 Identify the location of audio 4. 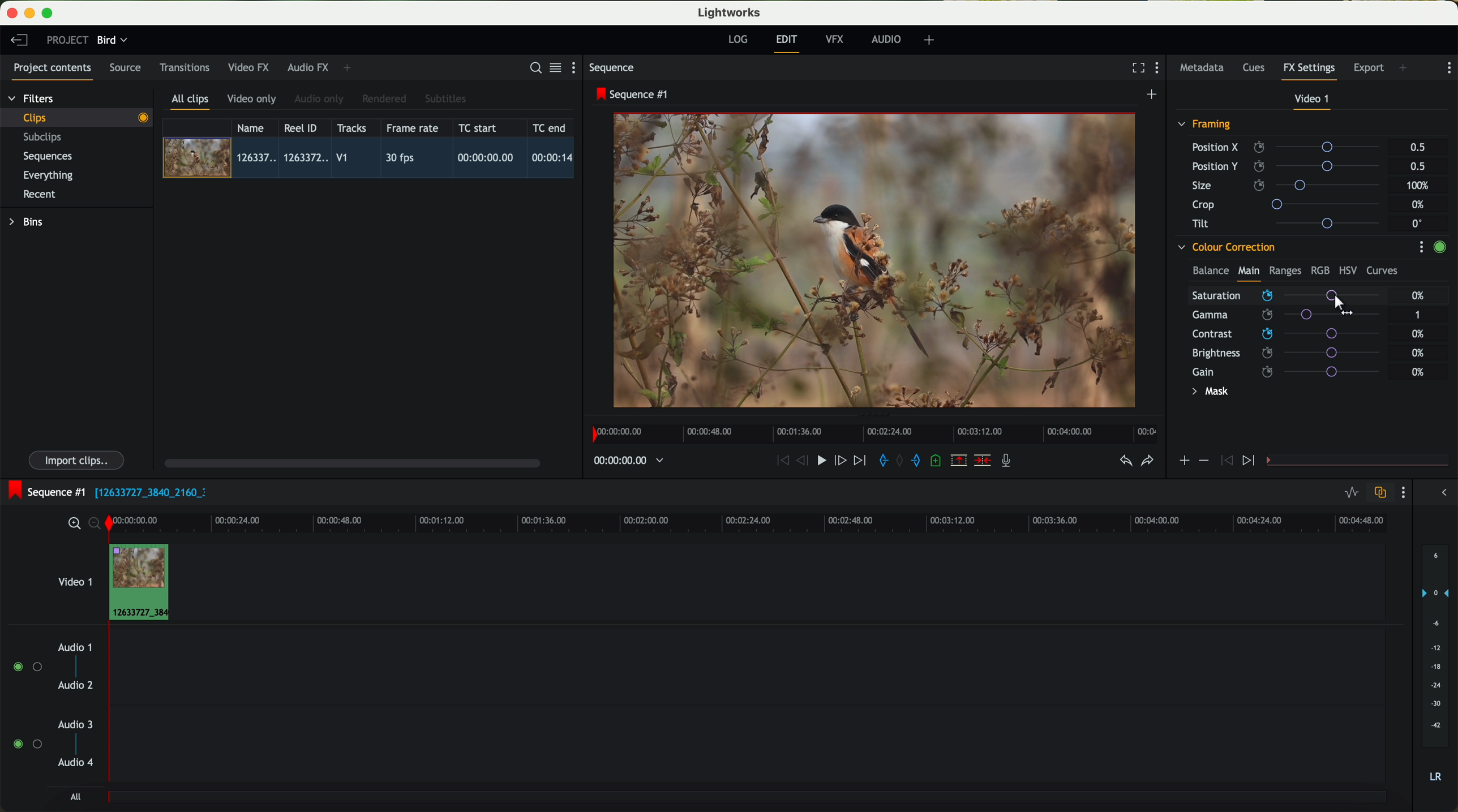
(76, 763).